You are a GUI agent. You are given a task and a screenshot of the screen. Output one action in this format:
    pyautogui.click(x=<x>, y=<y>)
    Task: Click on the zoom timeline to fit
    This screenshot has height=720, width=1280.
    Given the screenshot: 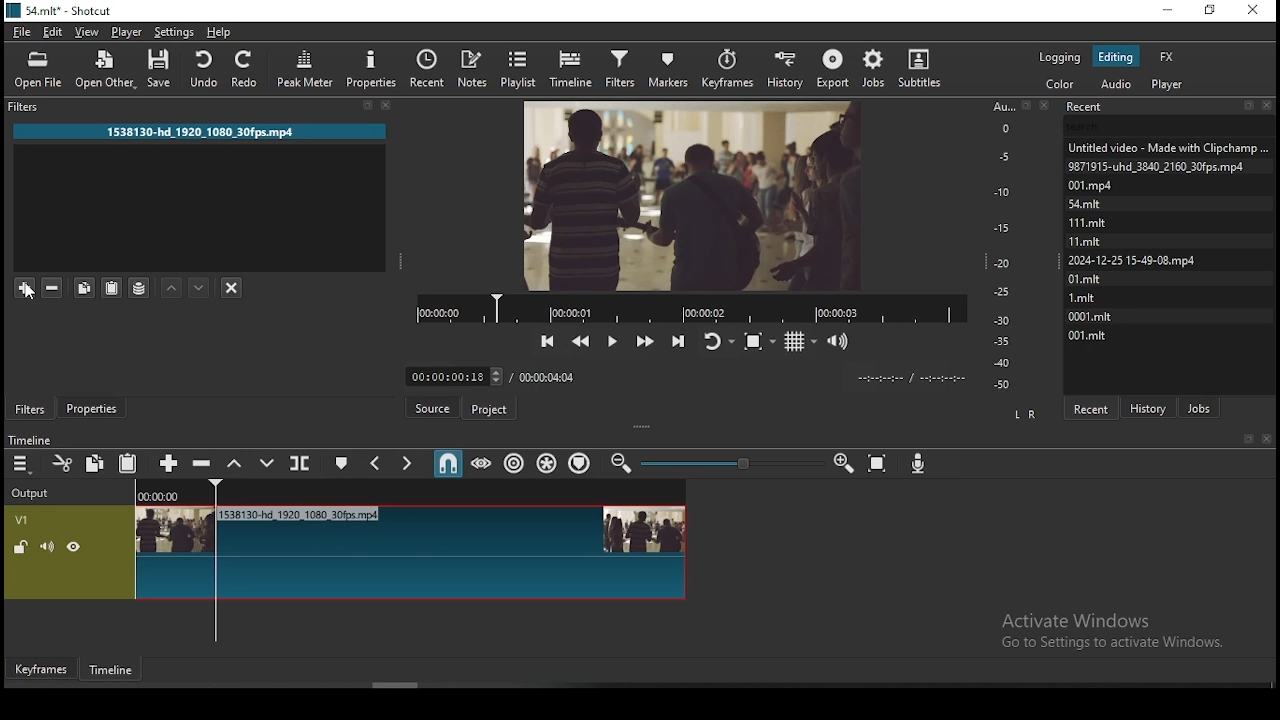 What is the action you would take?
    pyautogui.click(x=871, y=463)
    